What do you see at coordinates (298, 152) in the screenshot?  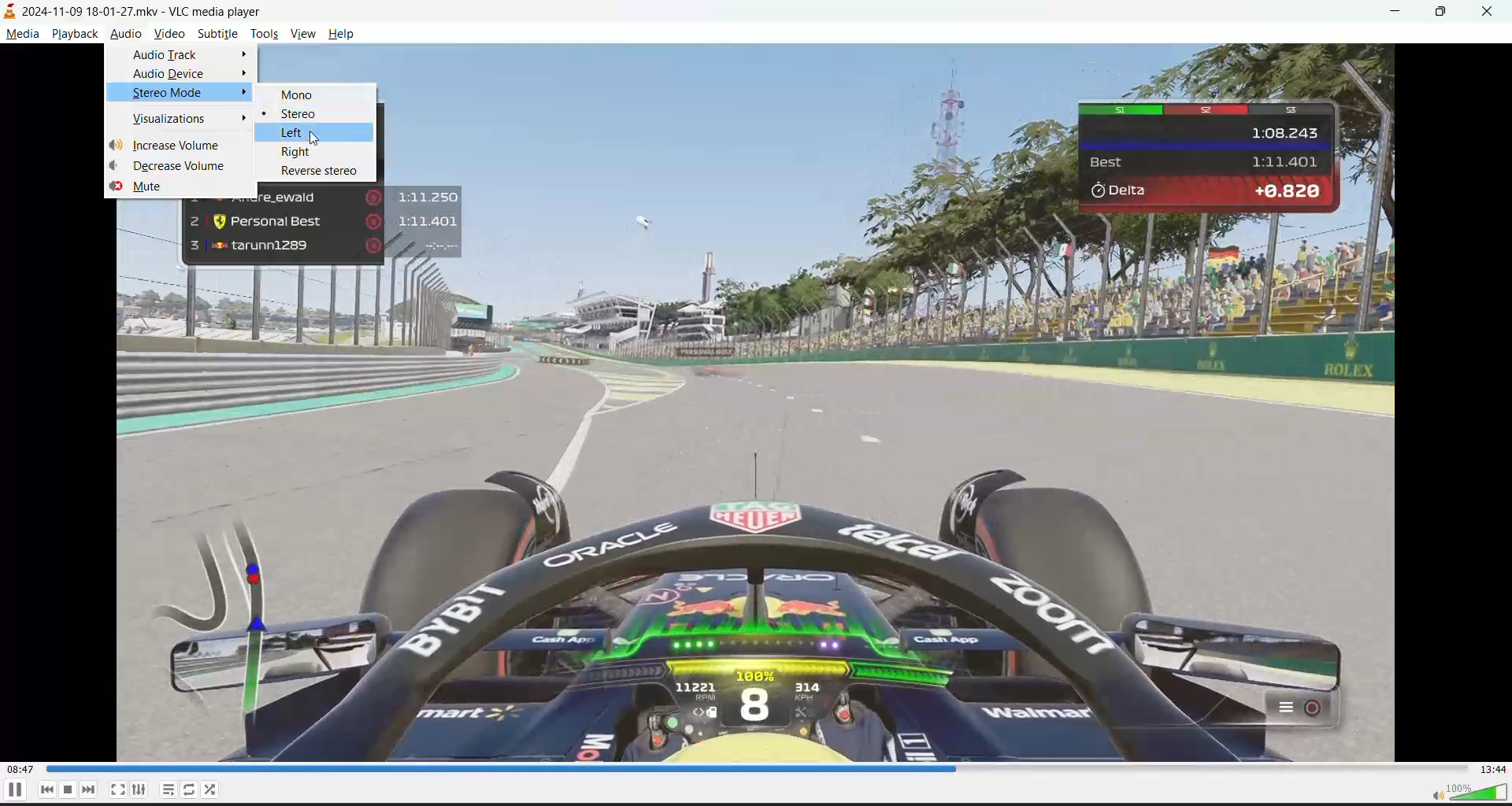 I see `right` at bounding box center [298, 152].